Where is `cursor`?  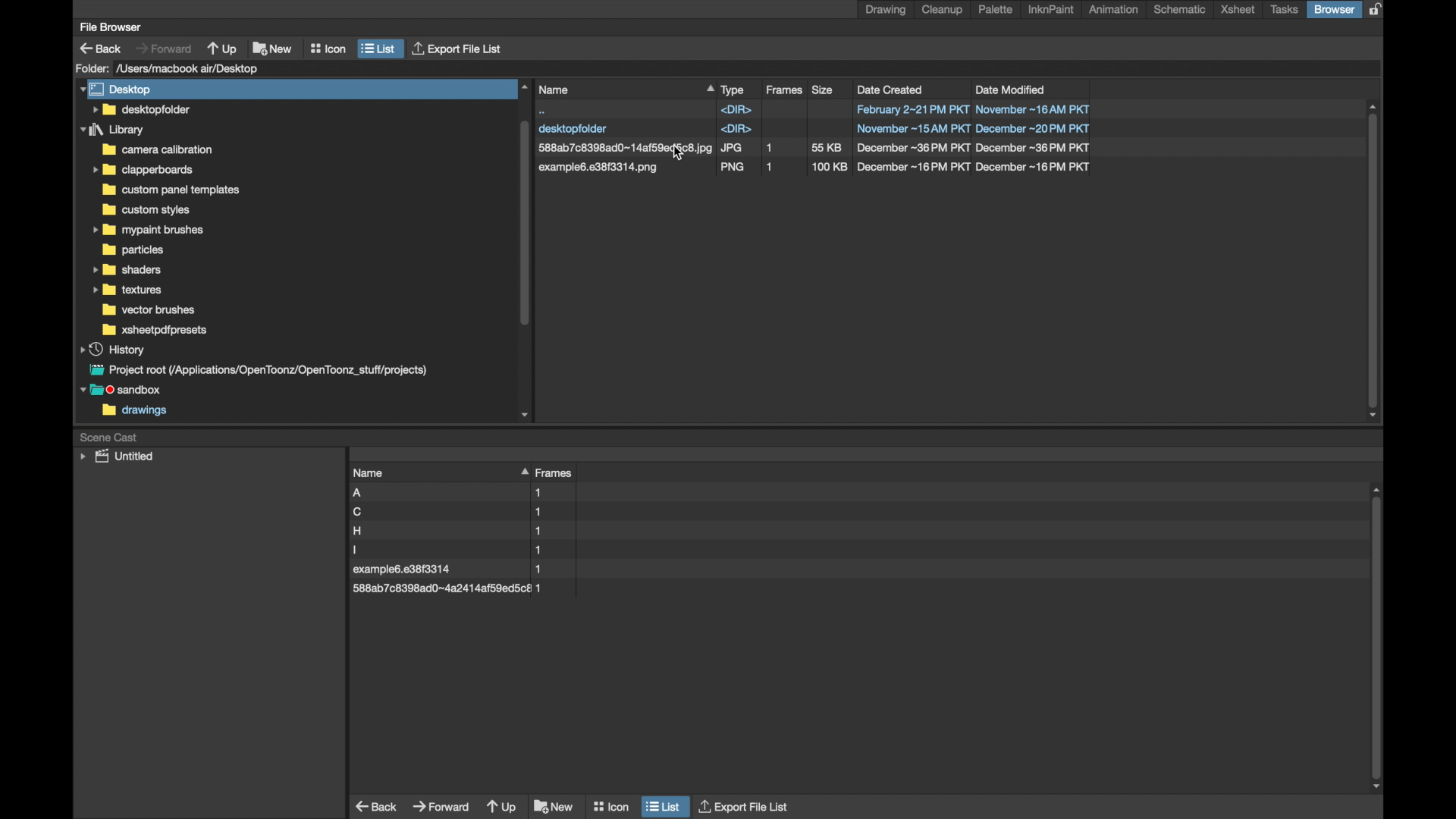 cursor is located at coordinates (679, 155).